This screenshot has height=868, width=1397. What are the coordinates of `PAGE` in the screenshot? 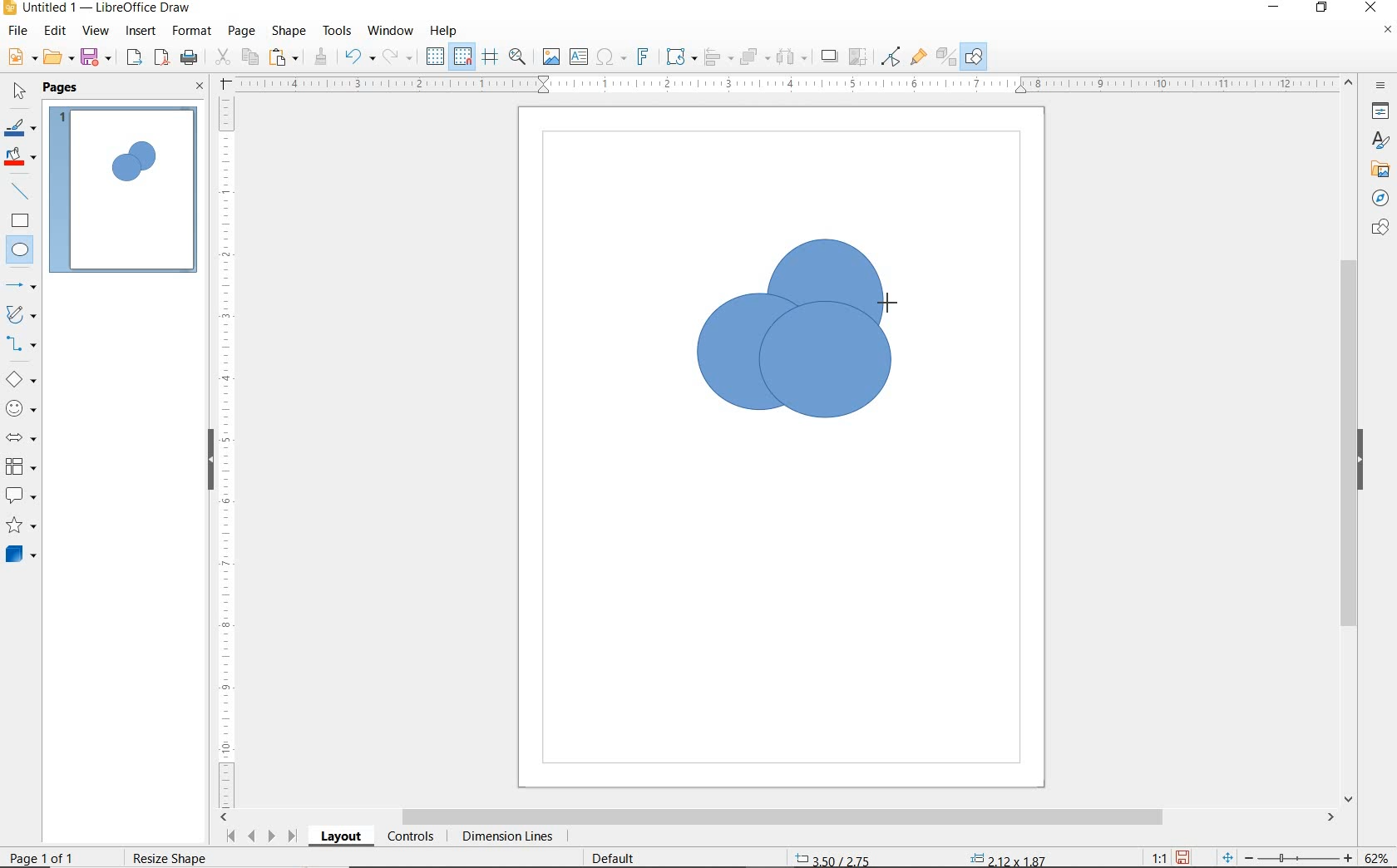 It's located at (241, 31).